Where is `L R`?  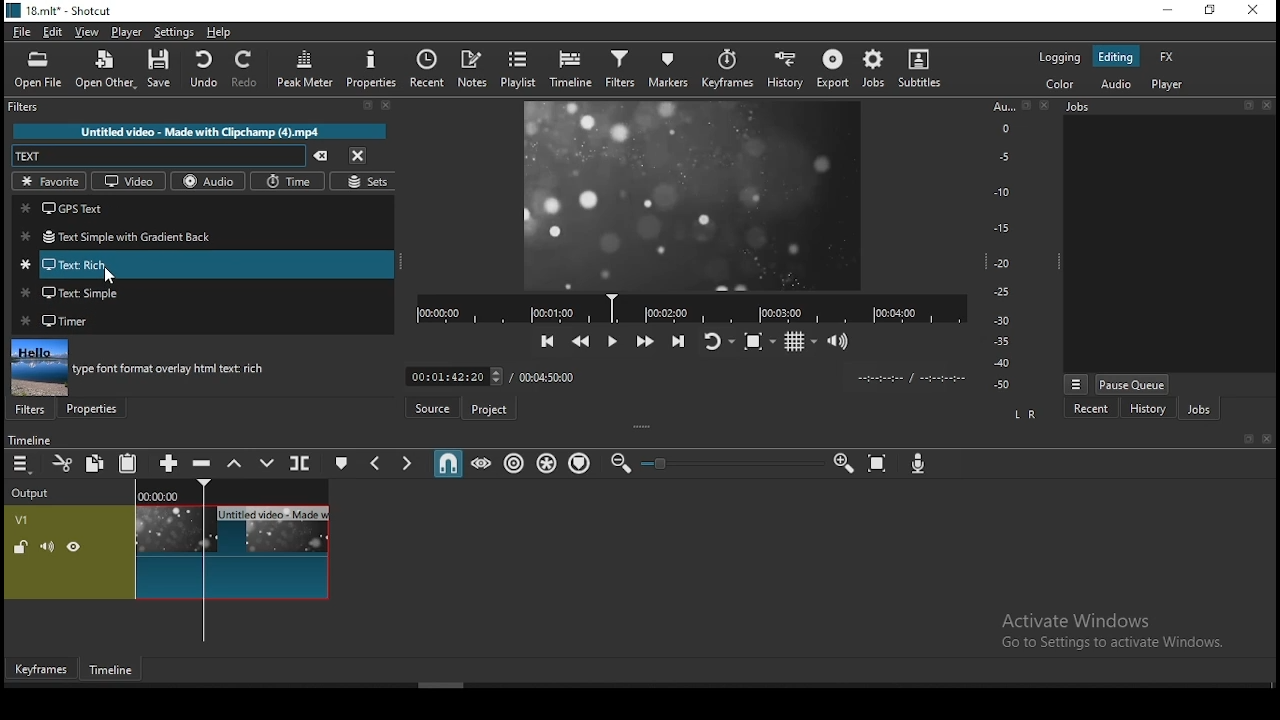 L R is located at coordinates (1026, 415).